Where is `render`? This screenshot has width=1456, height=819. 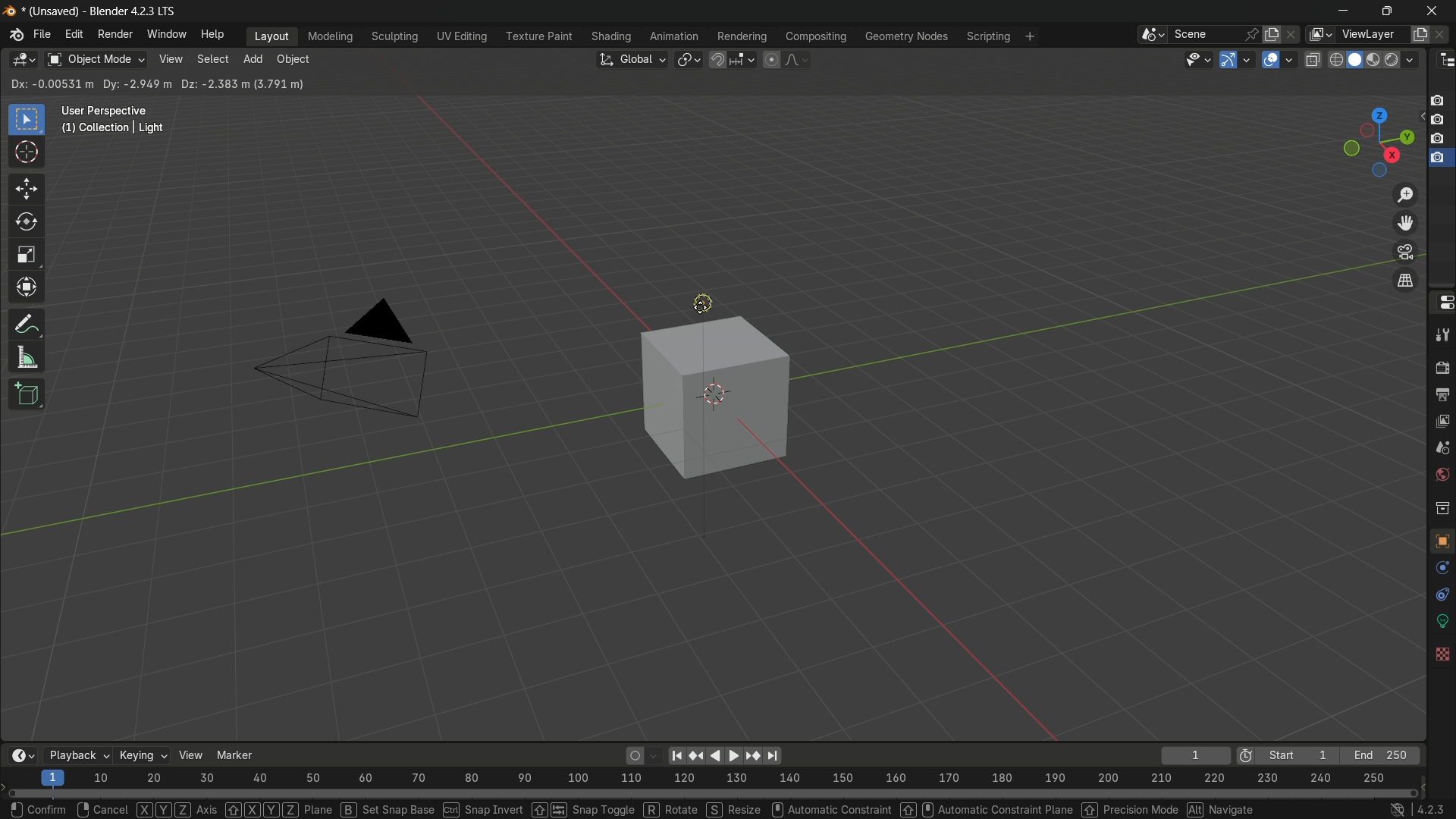 render is located at coordinates (1442, 367).